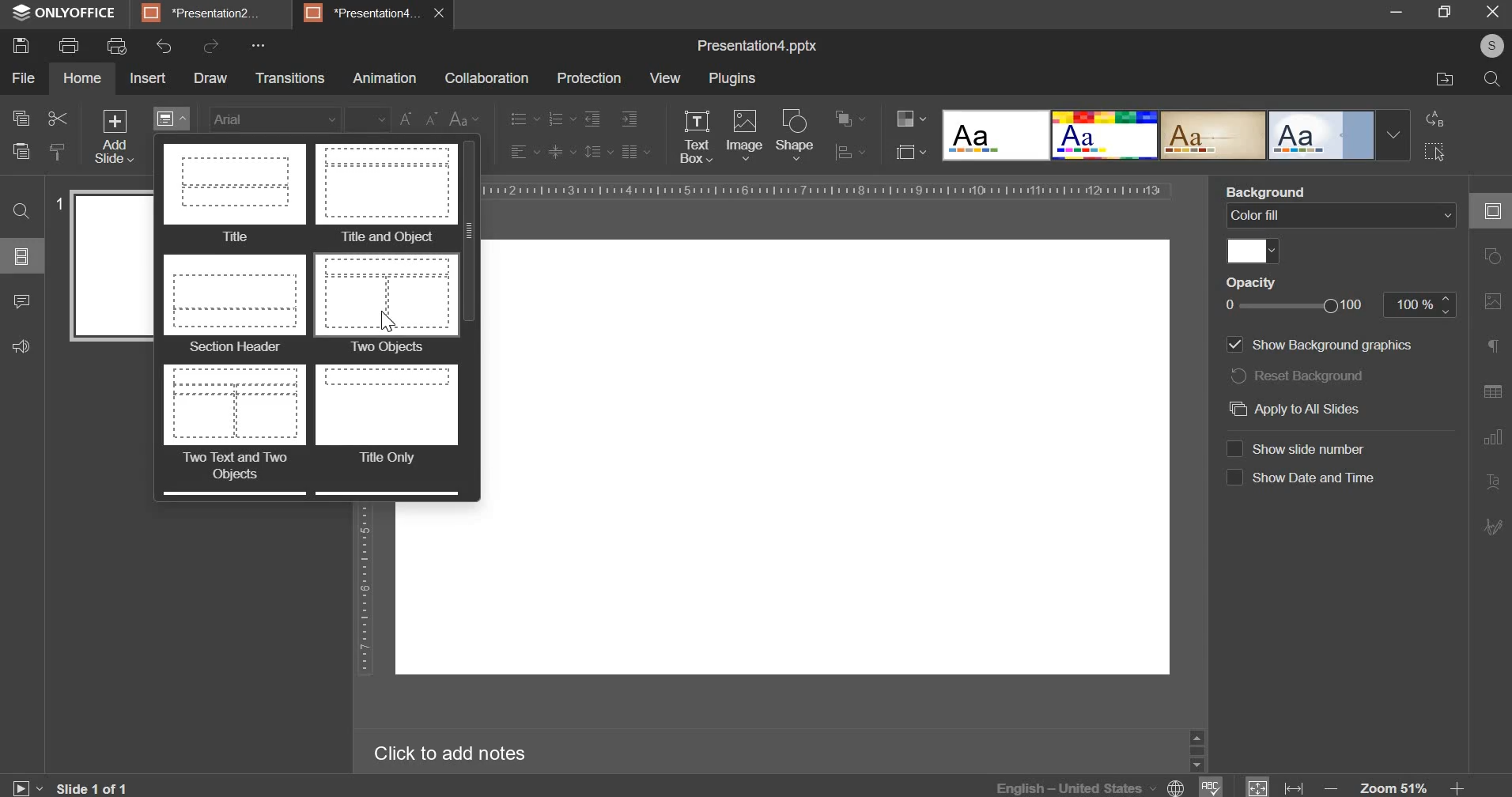  Describe the element at coordinates (433, 119) in the screenshot. I see `decrease` at that location.